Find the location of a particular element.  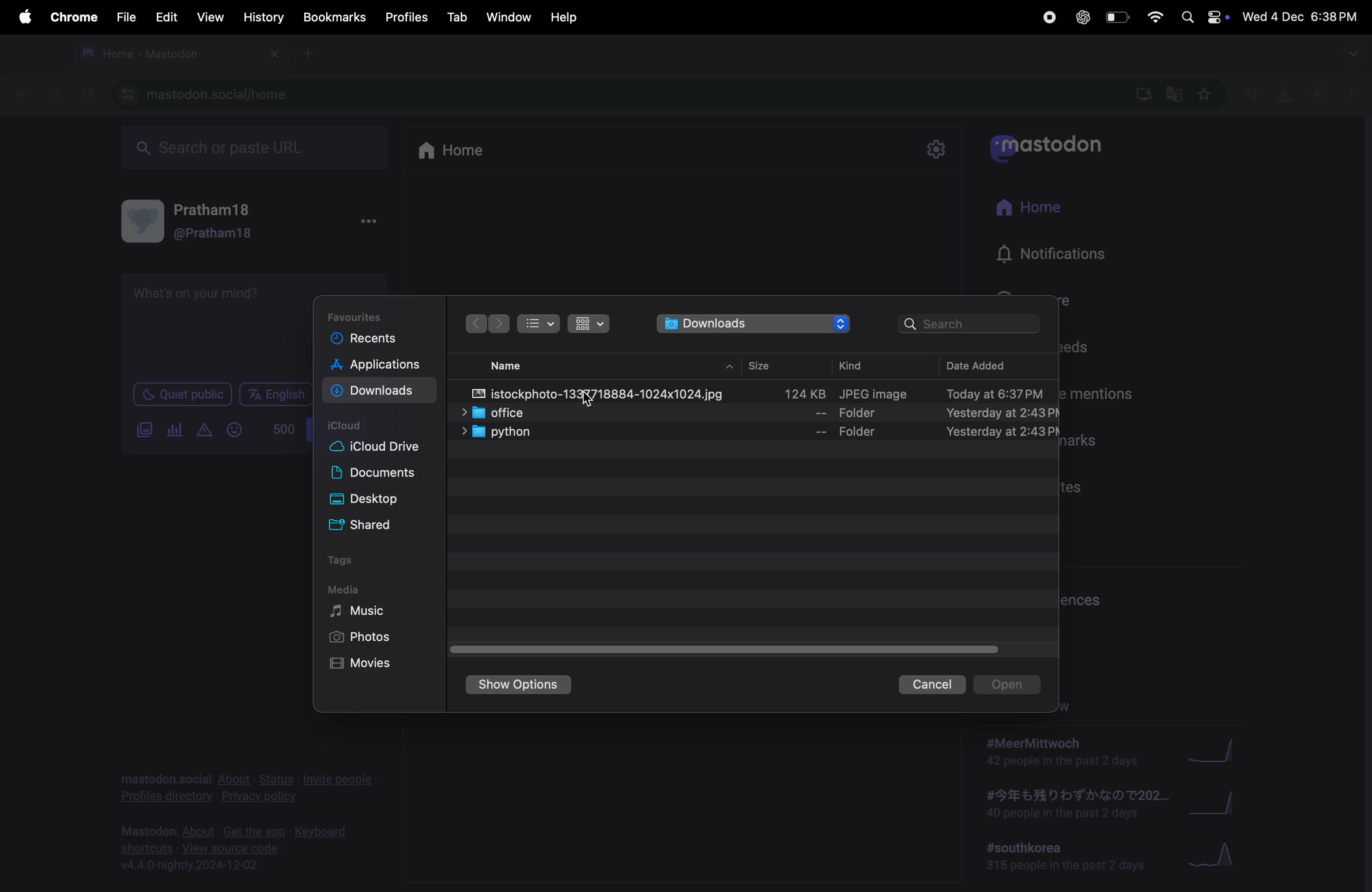

book marks is located at coordinates (332, 17).